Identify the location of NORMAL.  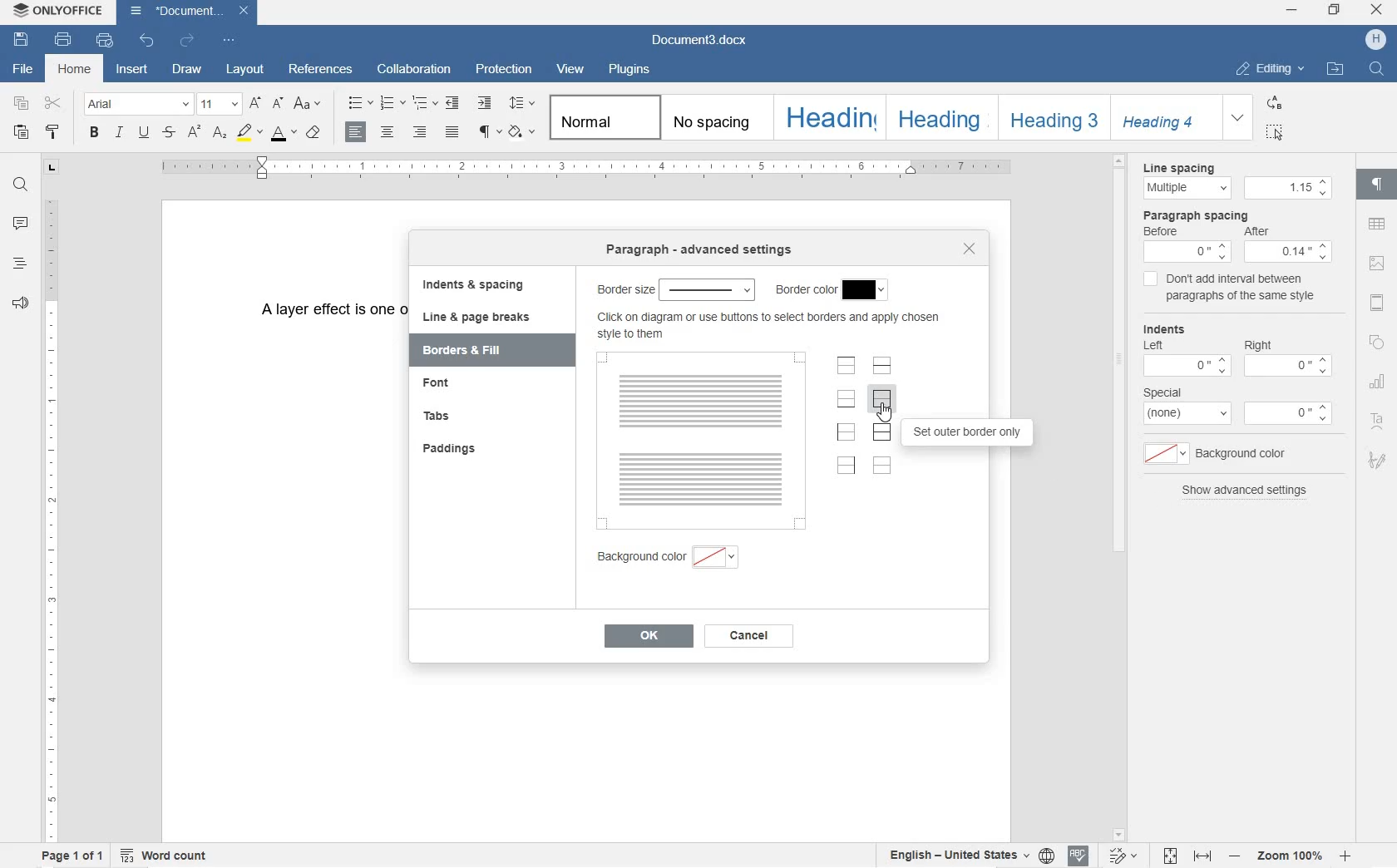
(601, 116).